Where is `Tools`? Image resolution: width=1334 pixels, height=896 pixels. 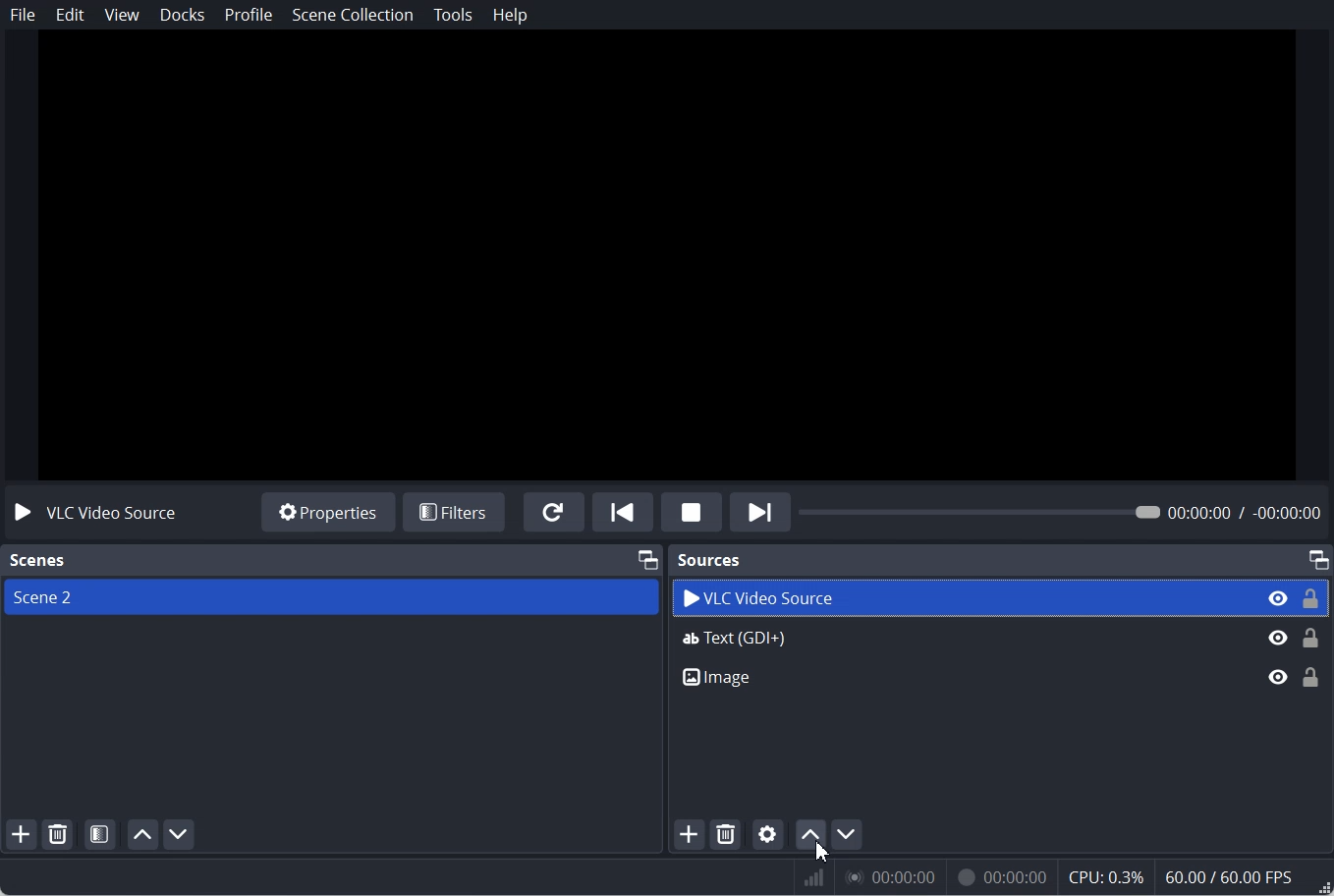 Tools is located at coordinates (453, 15).